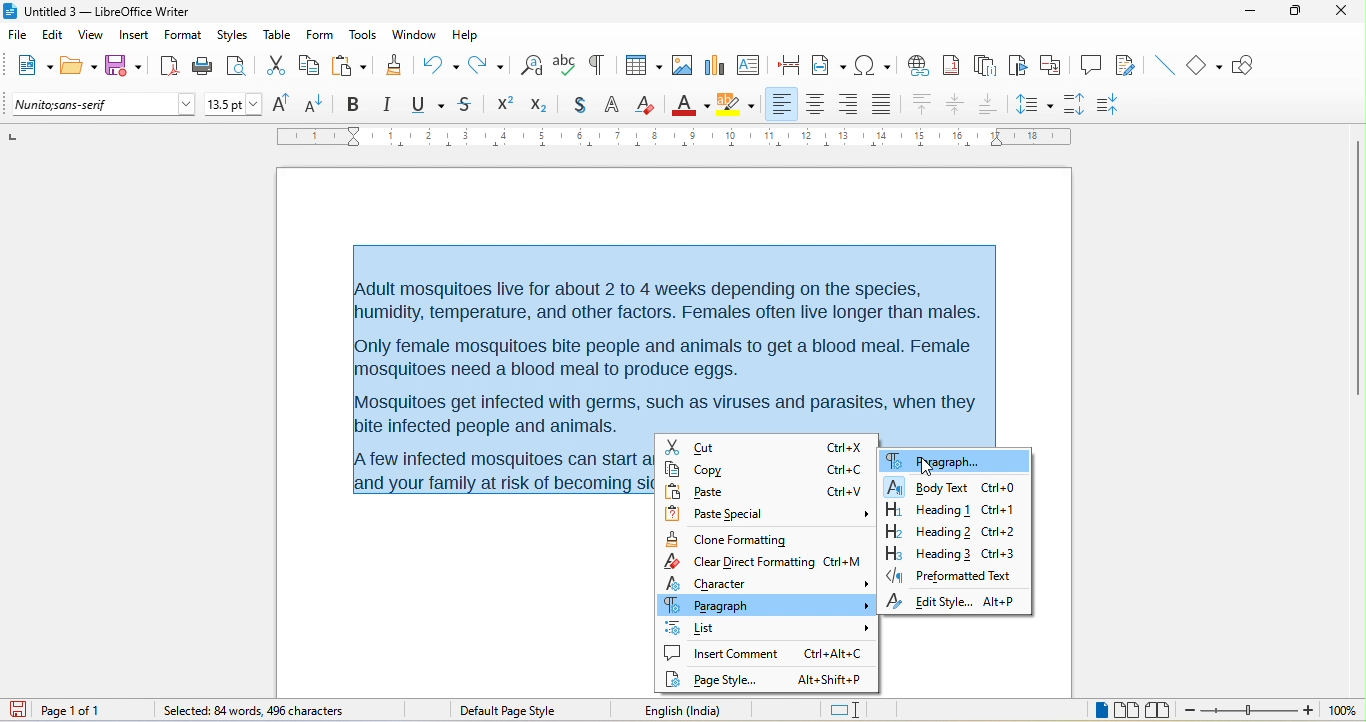 This screenshot has height=722, width=1366. I want to click on edit style, so click(928, 602).